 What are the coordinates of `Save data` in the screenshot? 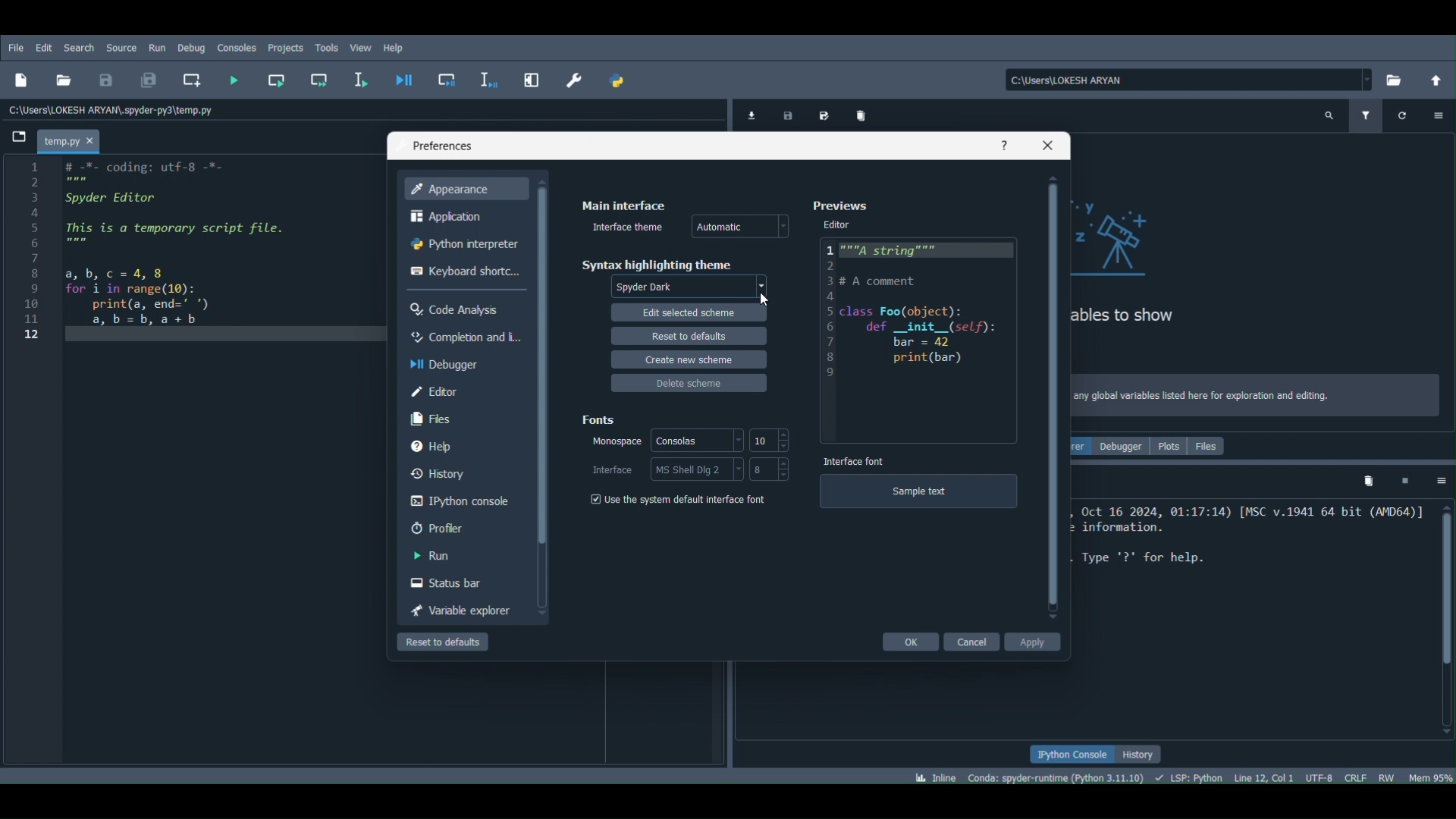 It's located at (789, 113).